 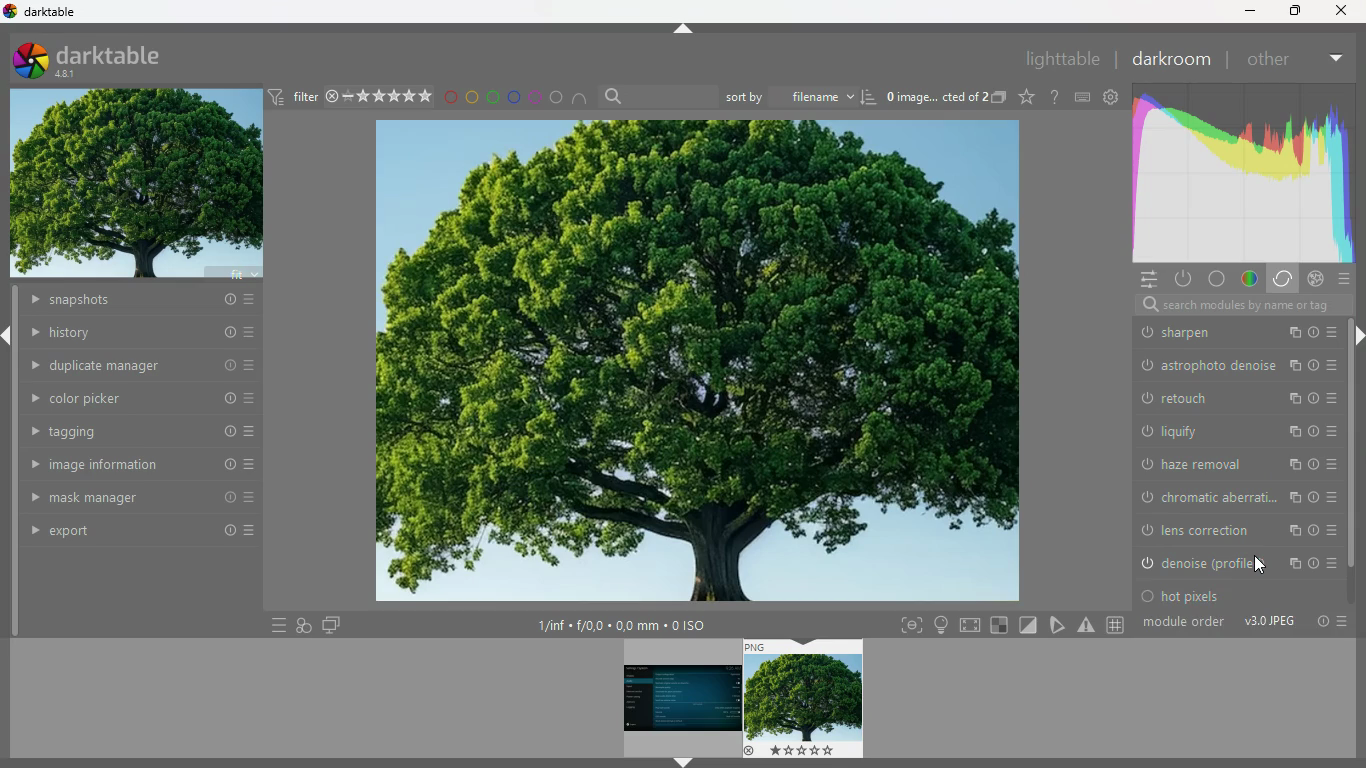 I want to click on local contrast, so click(x=1220, y=329).